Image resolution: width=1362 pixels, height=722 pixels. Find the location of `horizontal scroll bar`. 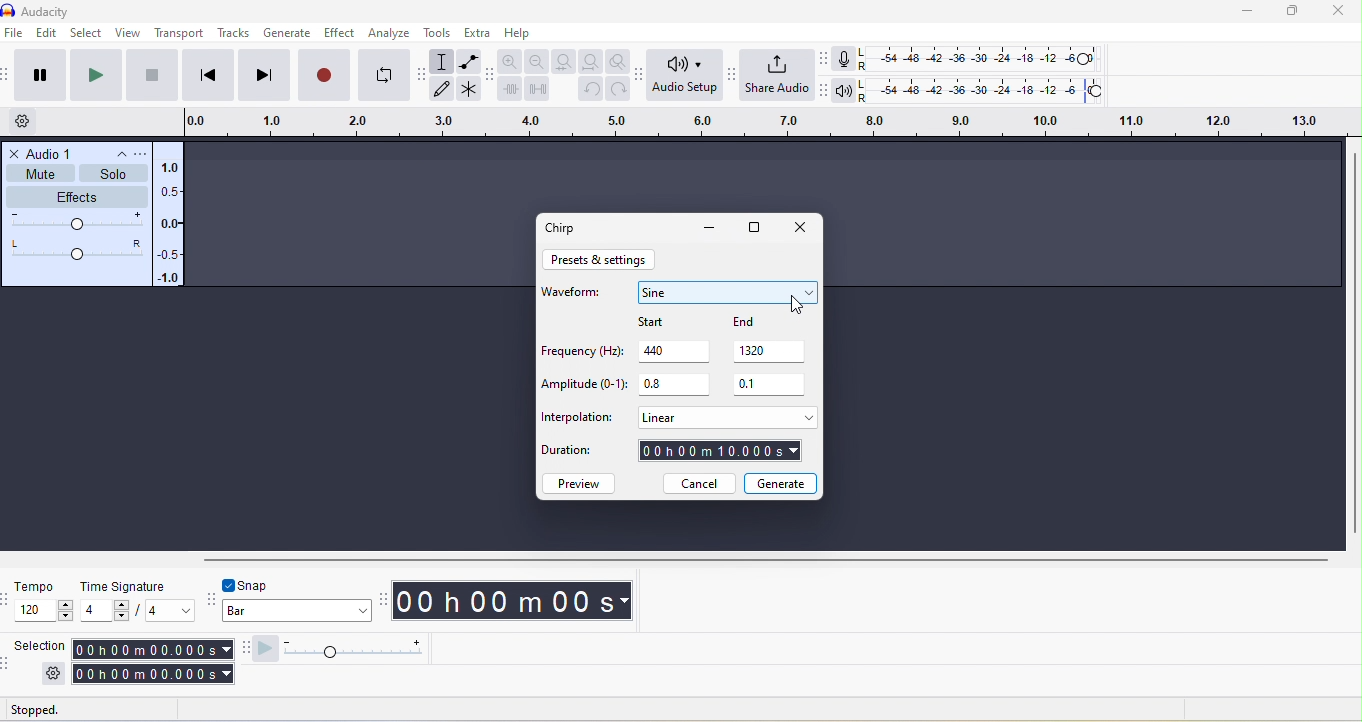

horizontal scroll bar is located at coordinates (765, 558).